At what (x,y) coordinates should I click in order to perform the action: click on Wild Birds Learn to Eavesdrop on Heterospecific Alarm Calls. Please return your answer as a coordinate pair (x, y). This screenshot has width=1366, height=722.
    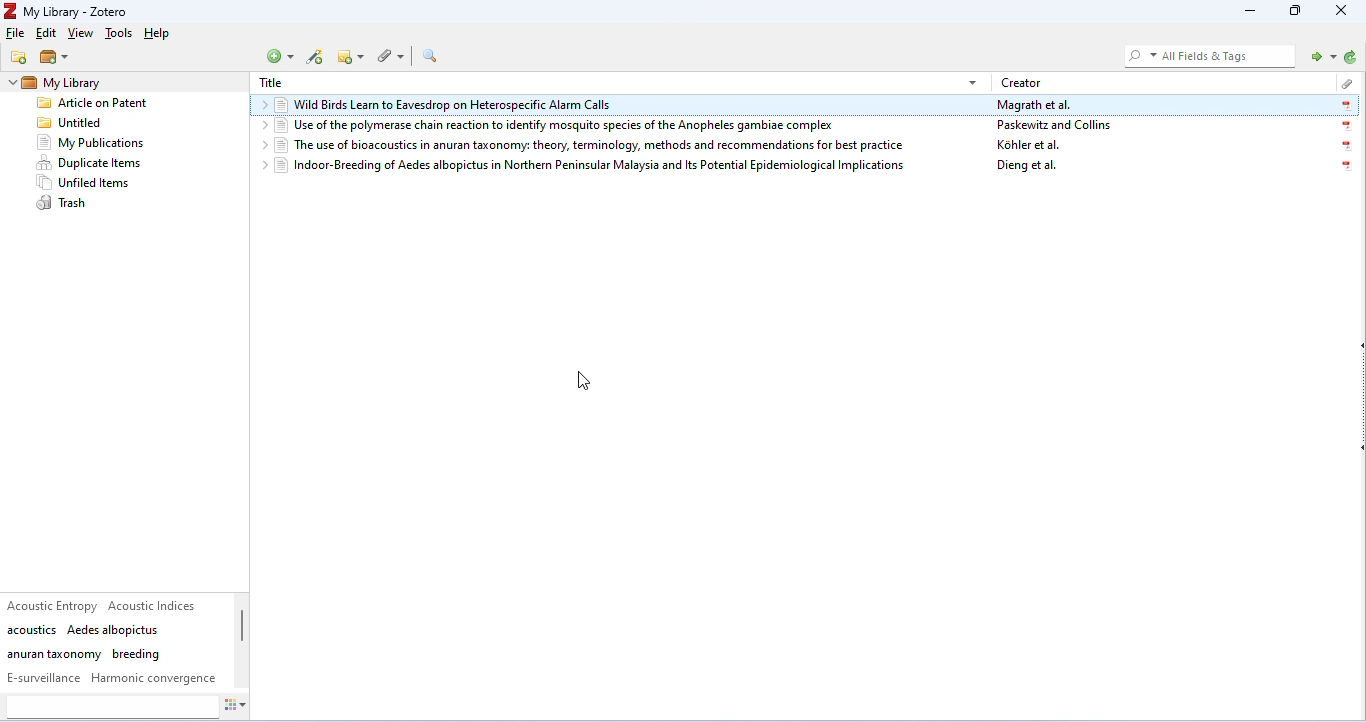
    Looking at the image, I should click on (628, 106).